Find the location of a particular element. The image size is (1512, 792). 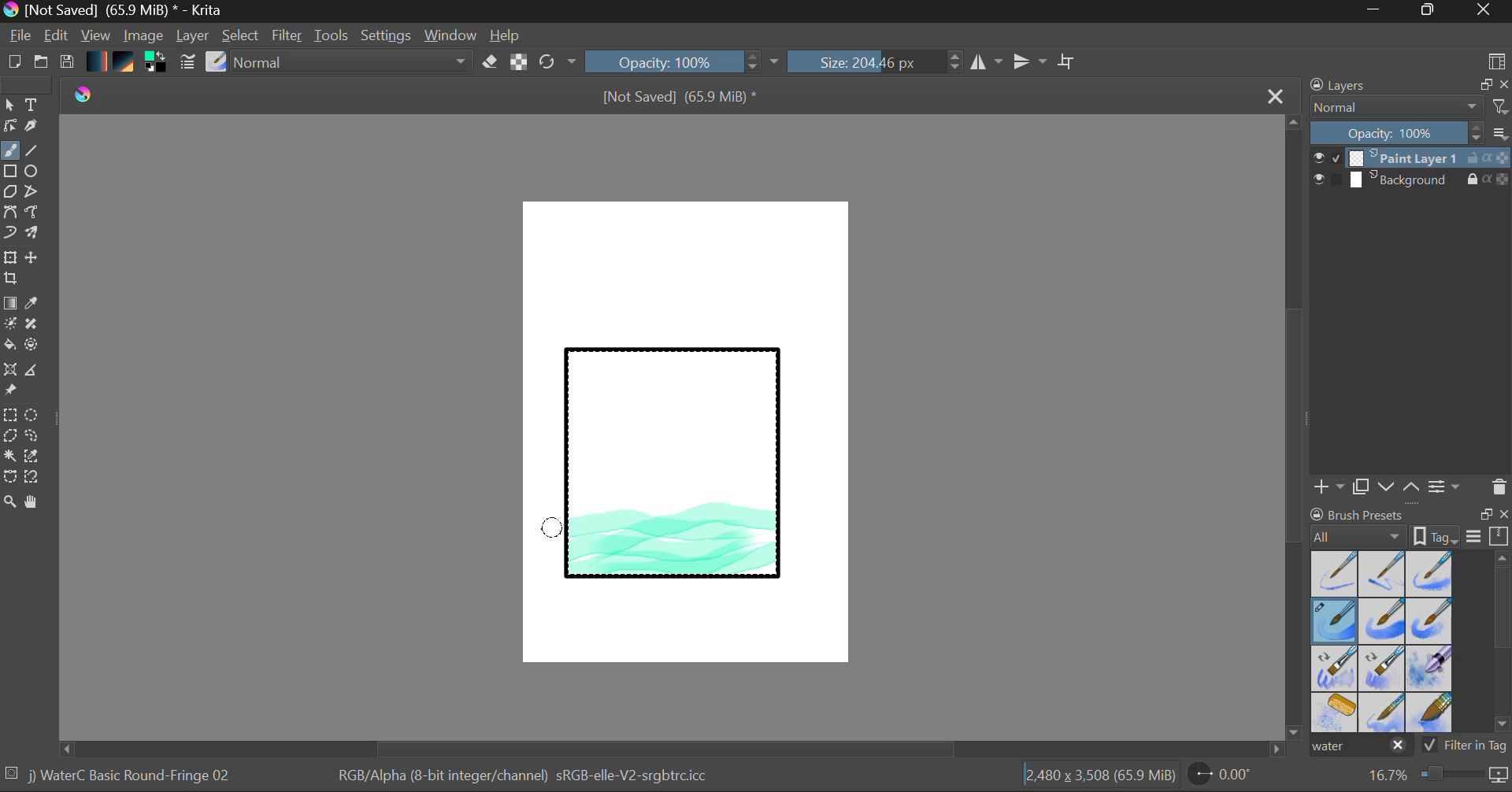

Color Information is located at coordinates (521, 777).